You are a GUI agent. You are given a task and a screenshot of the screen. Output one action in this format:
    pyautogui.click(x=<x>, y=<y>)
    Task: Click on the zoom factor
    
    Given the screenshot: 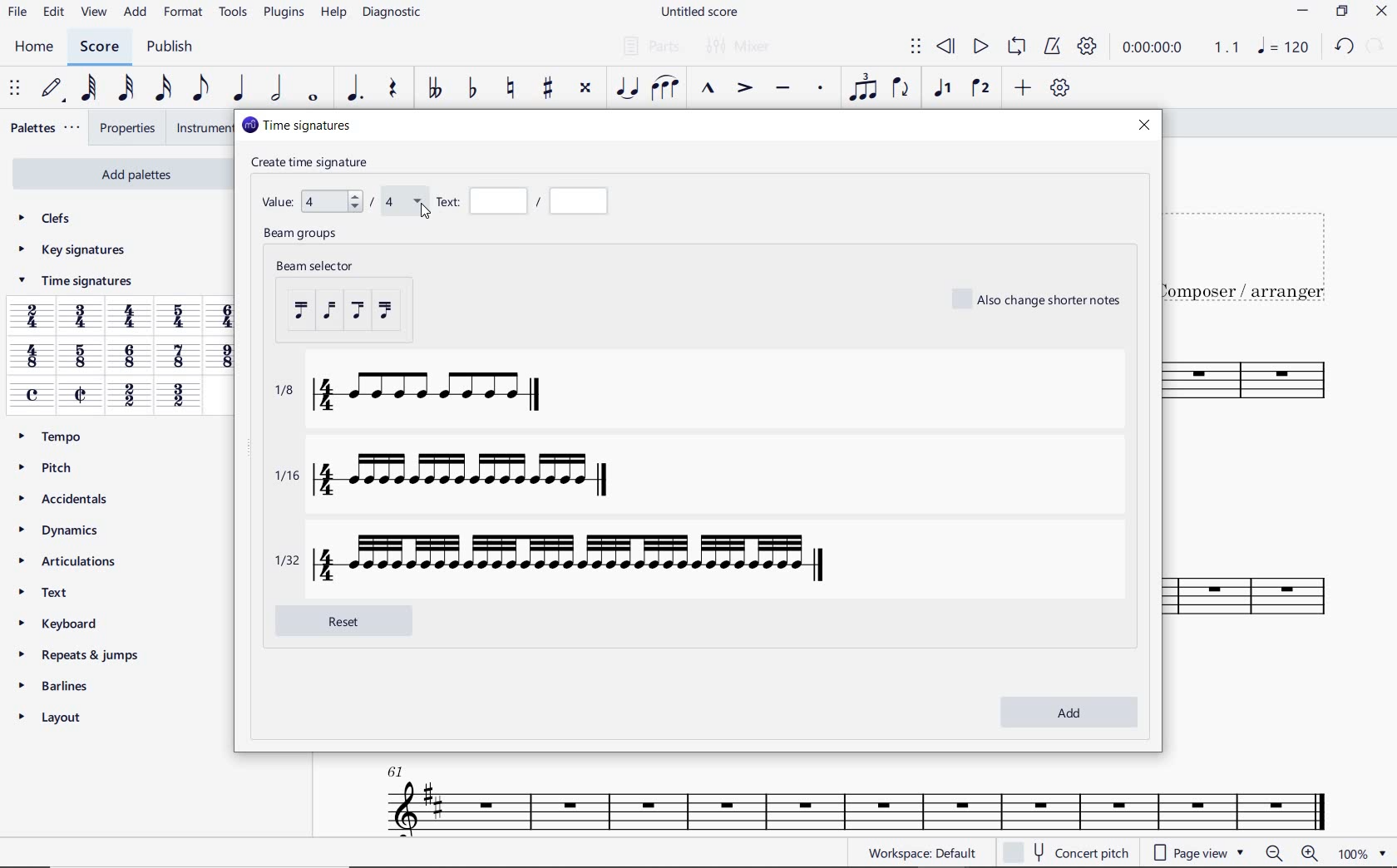 What is the action you would take?
    pyautogui.click(x=1360, y=853)
    